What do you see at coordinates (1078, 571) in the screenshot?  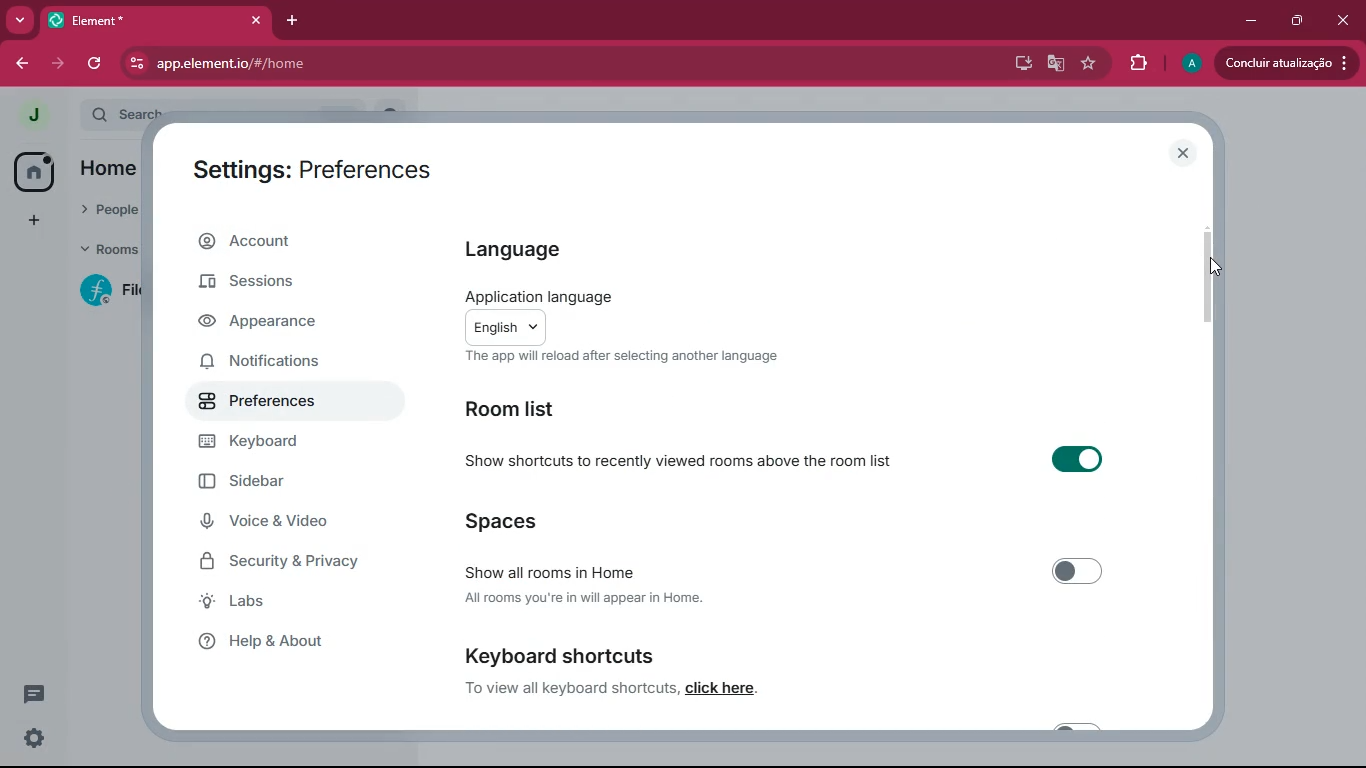 I see `toggle on/off` at bounding box center [1078, 571].